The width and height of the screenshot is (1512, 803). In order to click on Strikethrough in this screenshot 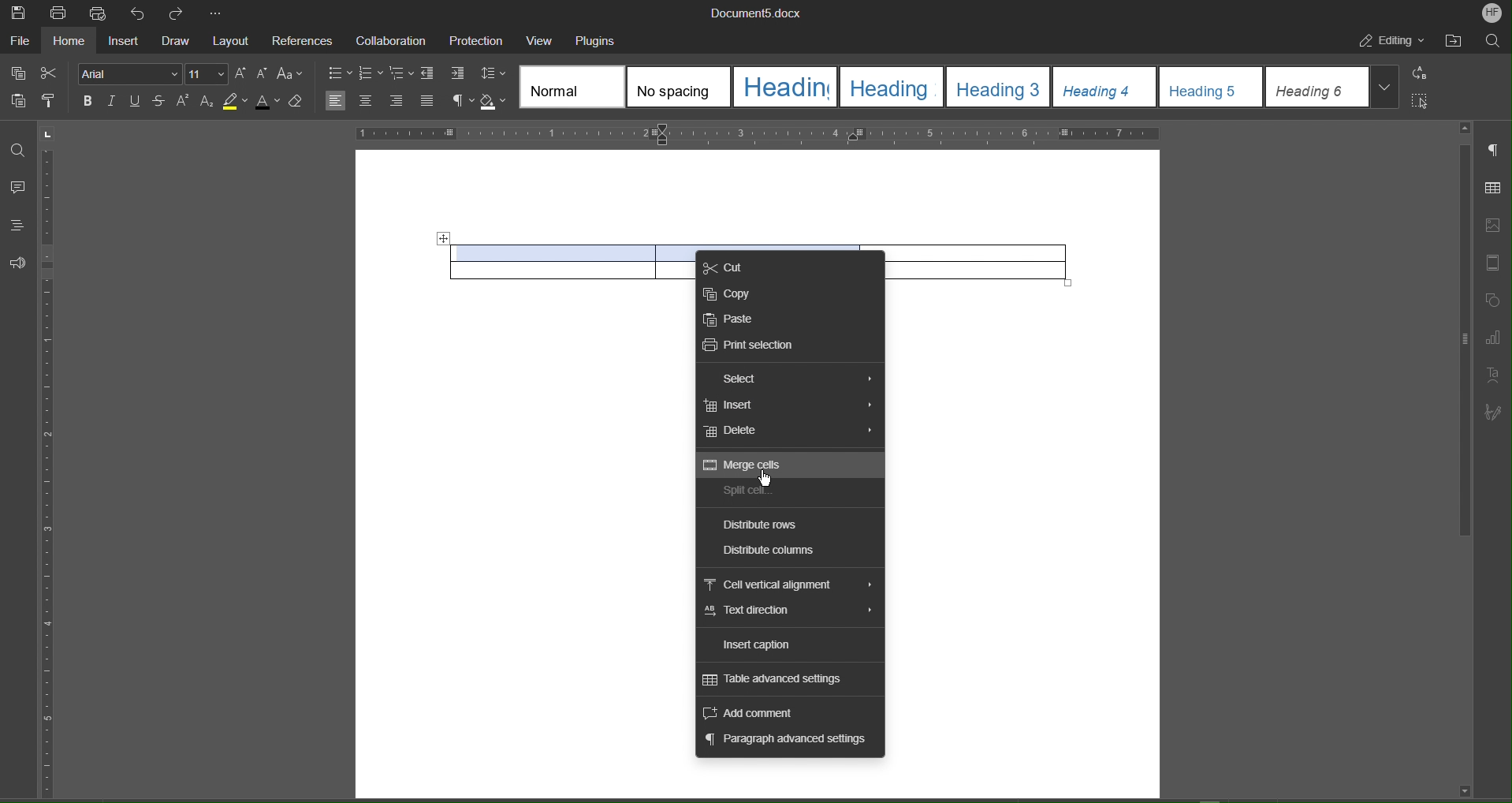, I will do `click(160, 102)`.